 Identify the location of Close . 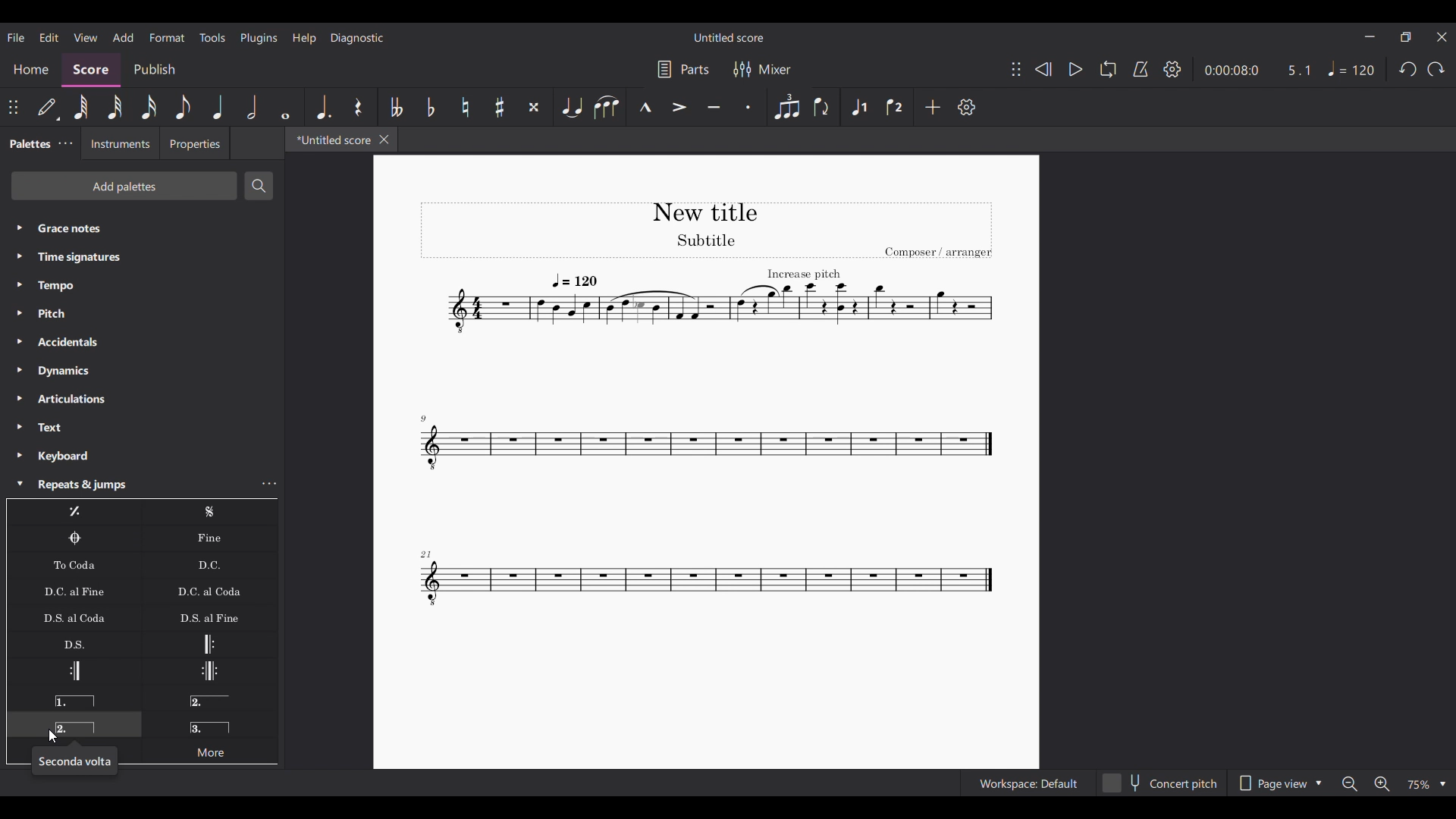
(384, 140).